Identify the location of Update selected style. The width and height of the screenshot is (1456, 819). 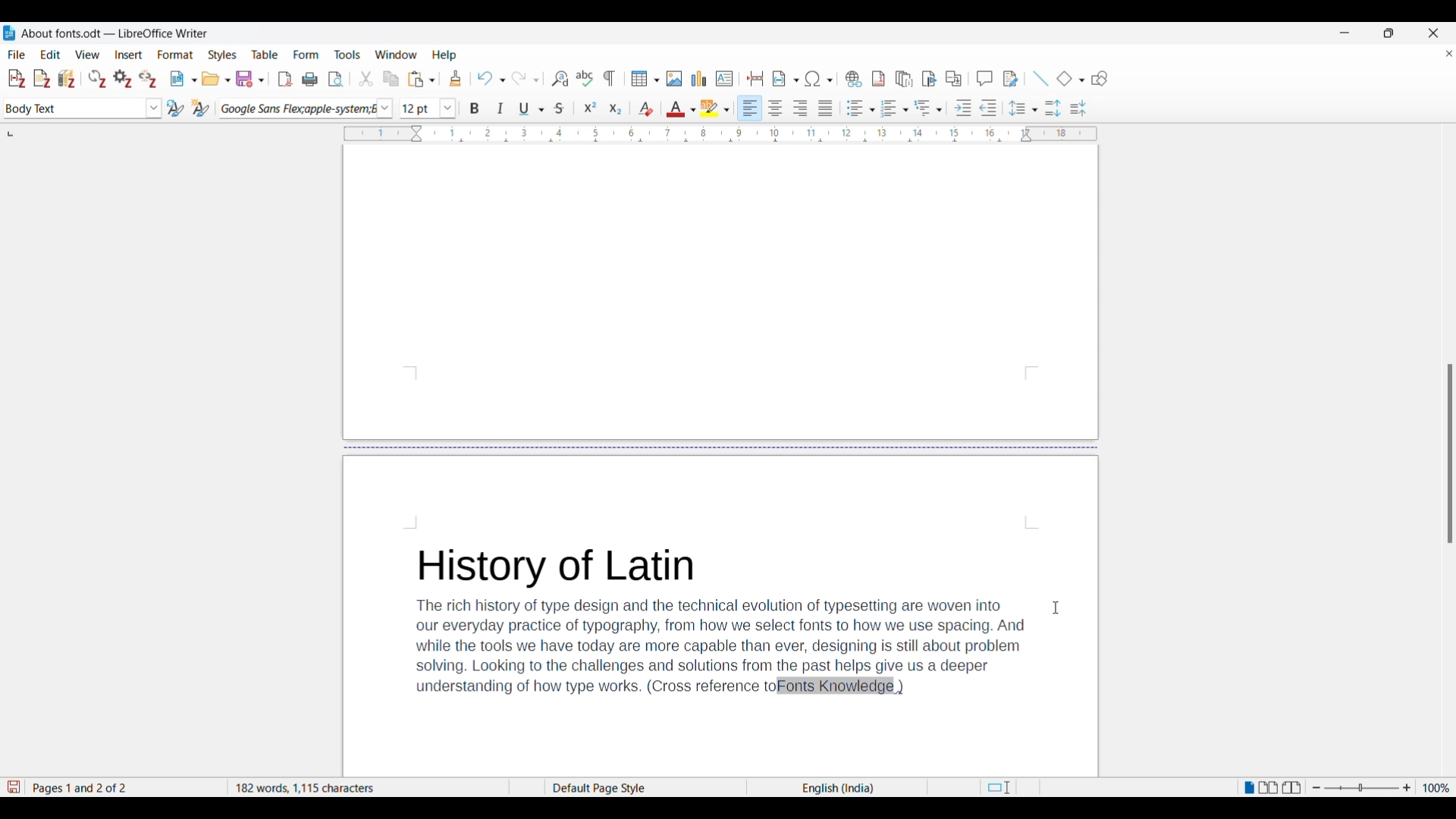
(175, 108).